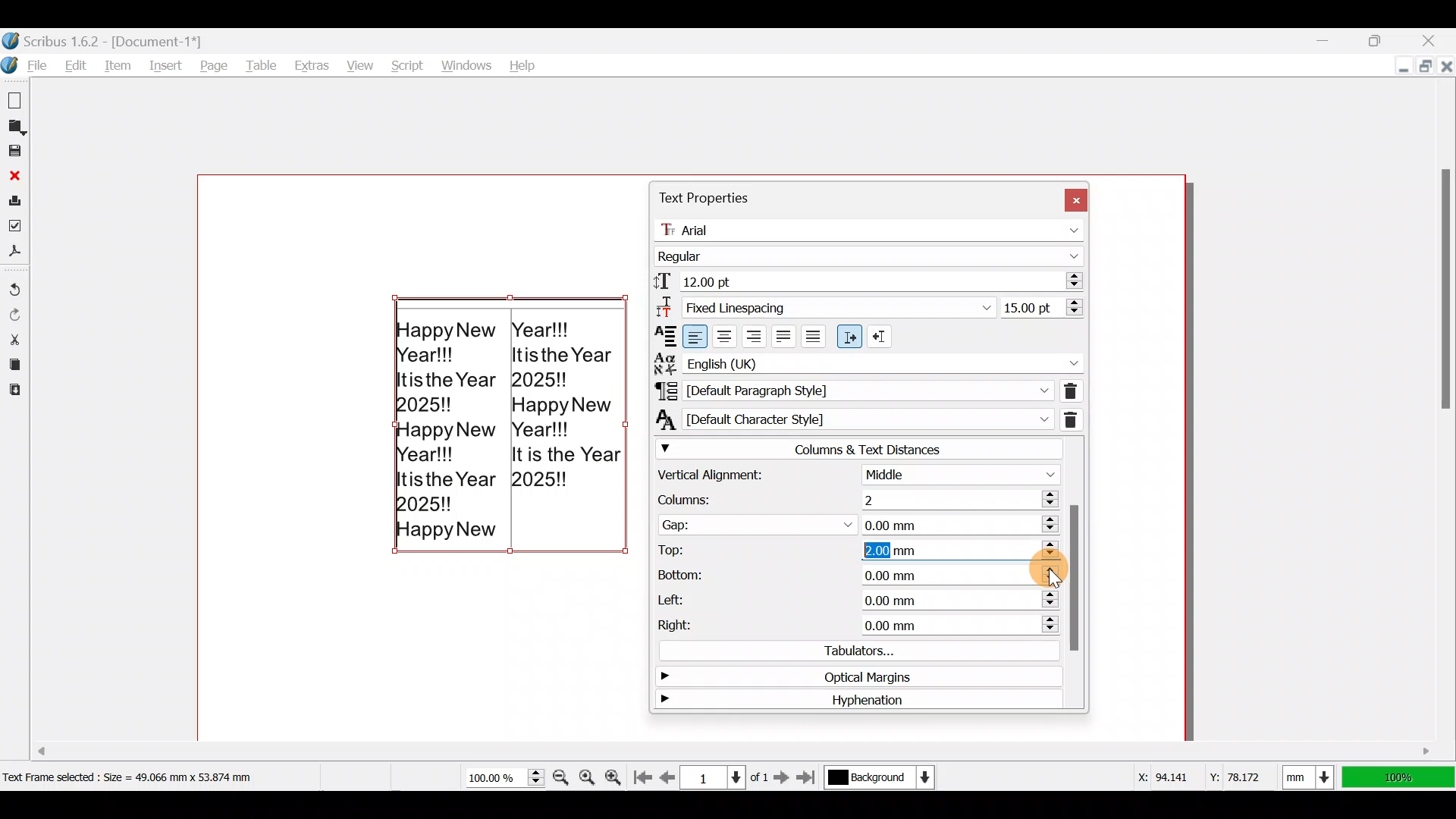 This screenshot has height=819, width=1456. What do you see at coordinates (215, 65) in the screenshot?
I see `Page` at bounding box center [215, 65].